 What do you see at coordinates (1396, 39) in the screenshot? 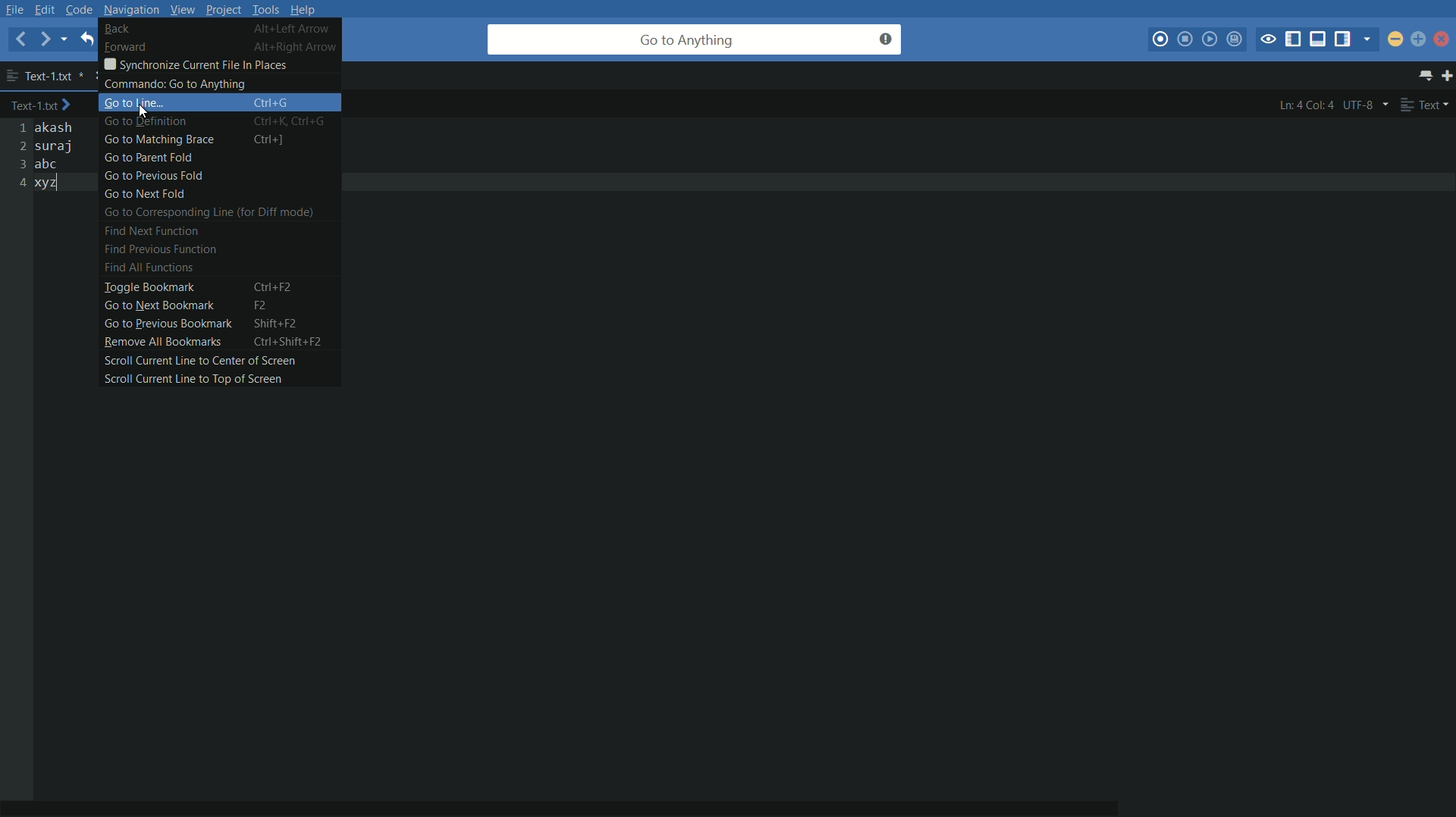
I see `minimize` at bounding box center [1396, 39].